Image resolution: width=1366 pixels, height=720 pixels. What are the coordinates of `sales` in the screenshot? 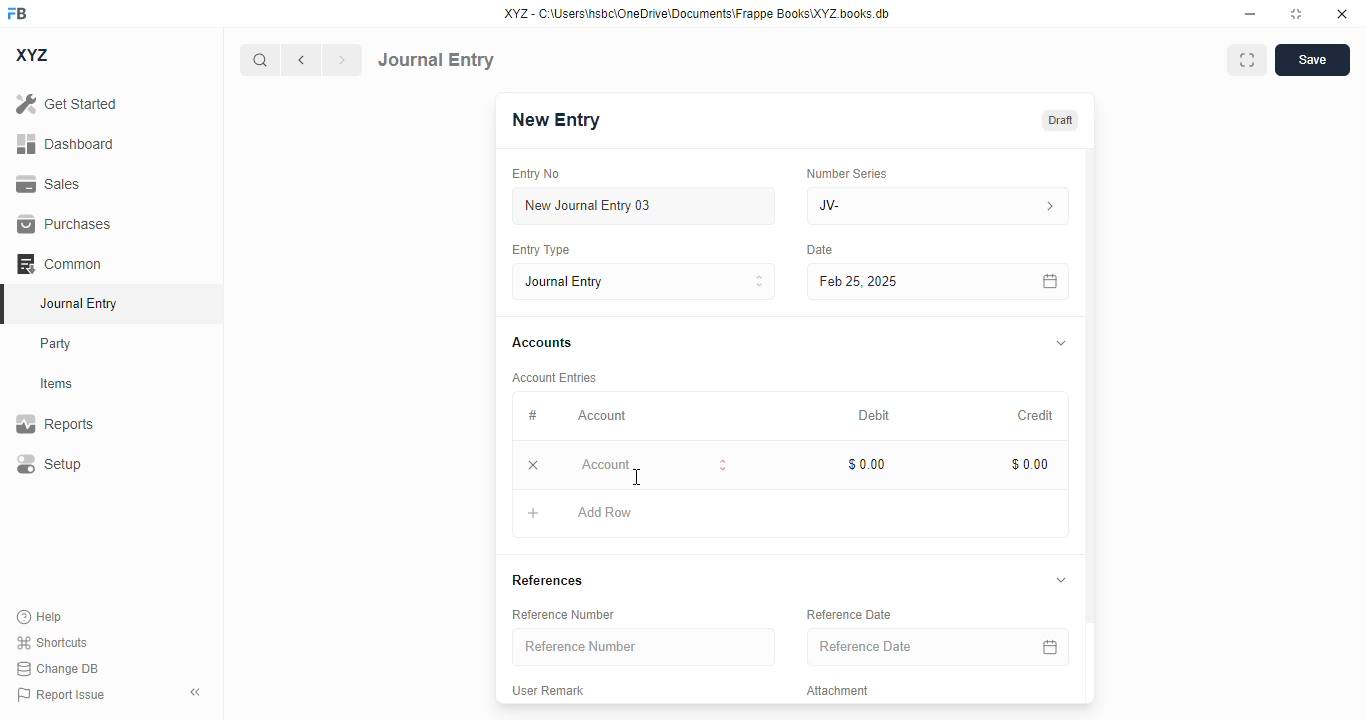 It's located at (51, 185).